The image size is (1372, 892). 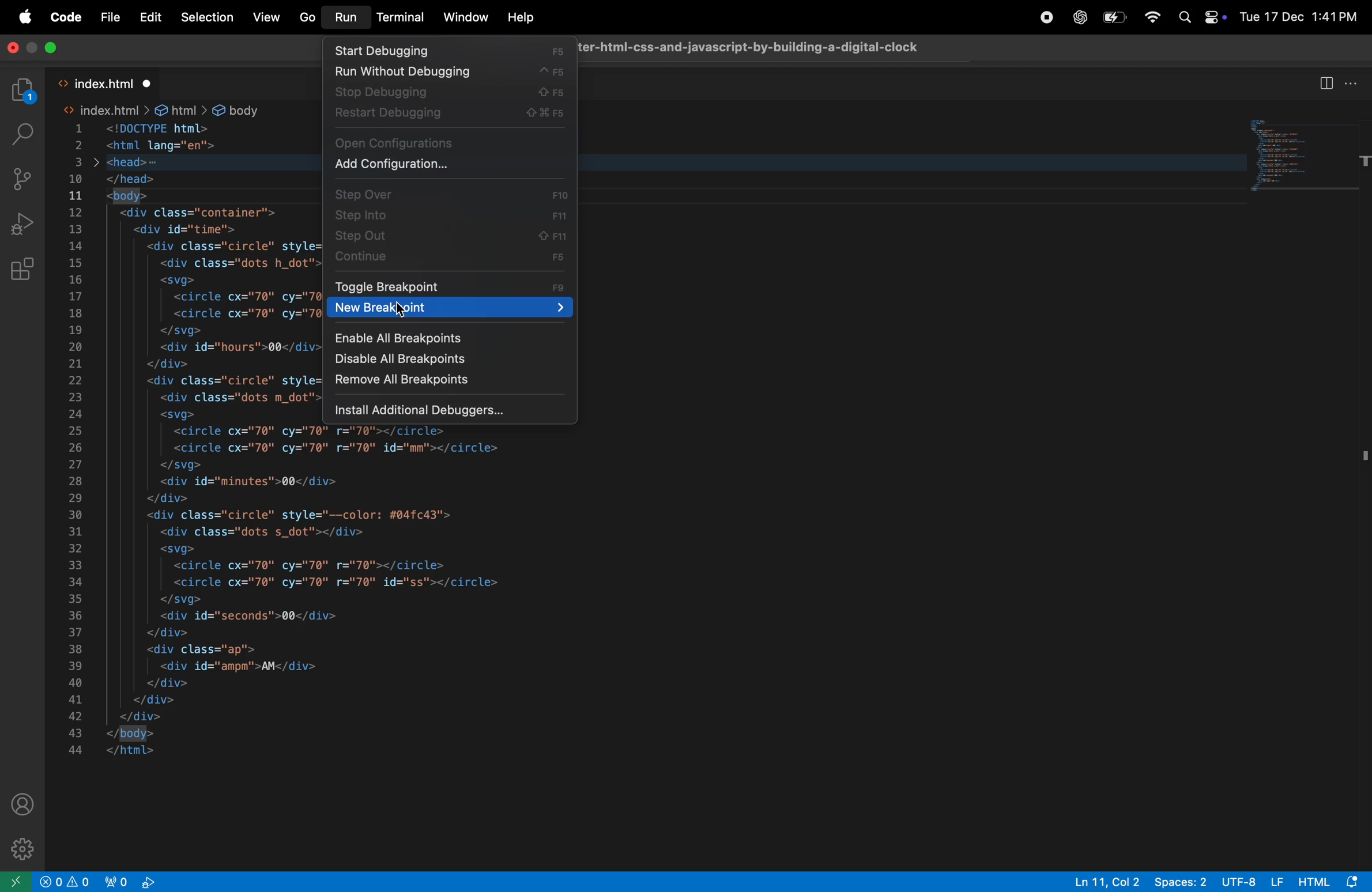 I want to click on step out, so click(x=446, y=236).